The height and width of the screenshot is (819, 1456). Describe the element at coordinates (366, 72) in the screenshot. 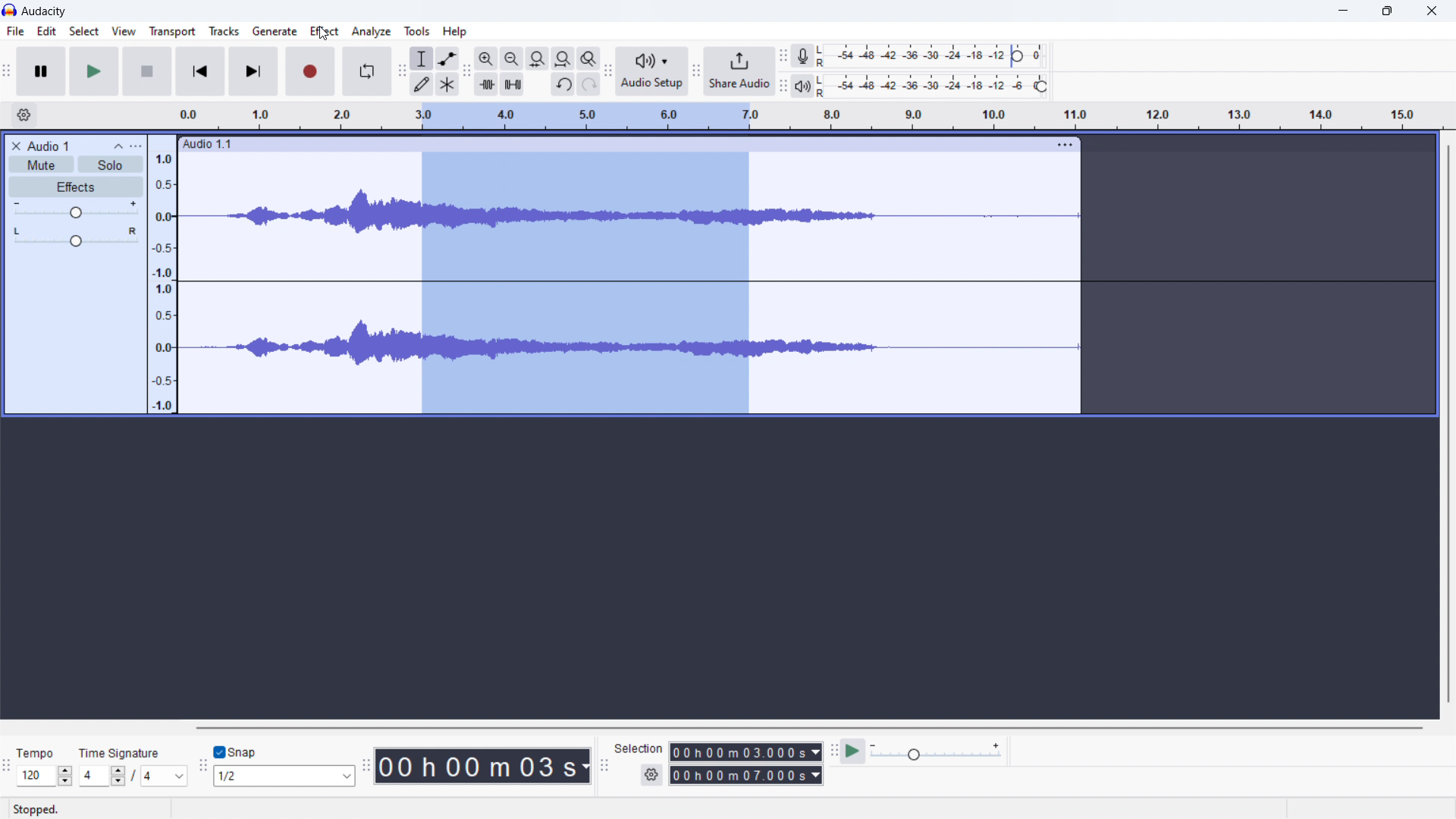

I see `enable looping` at that location.